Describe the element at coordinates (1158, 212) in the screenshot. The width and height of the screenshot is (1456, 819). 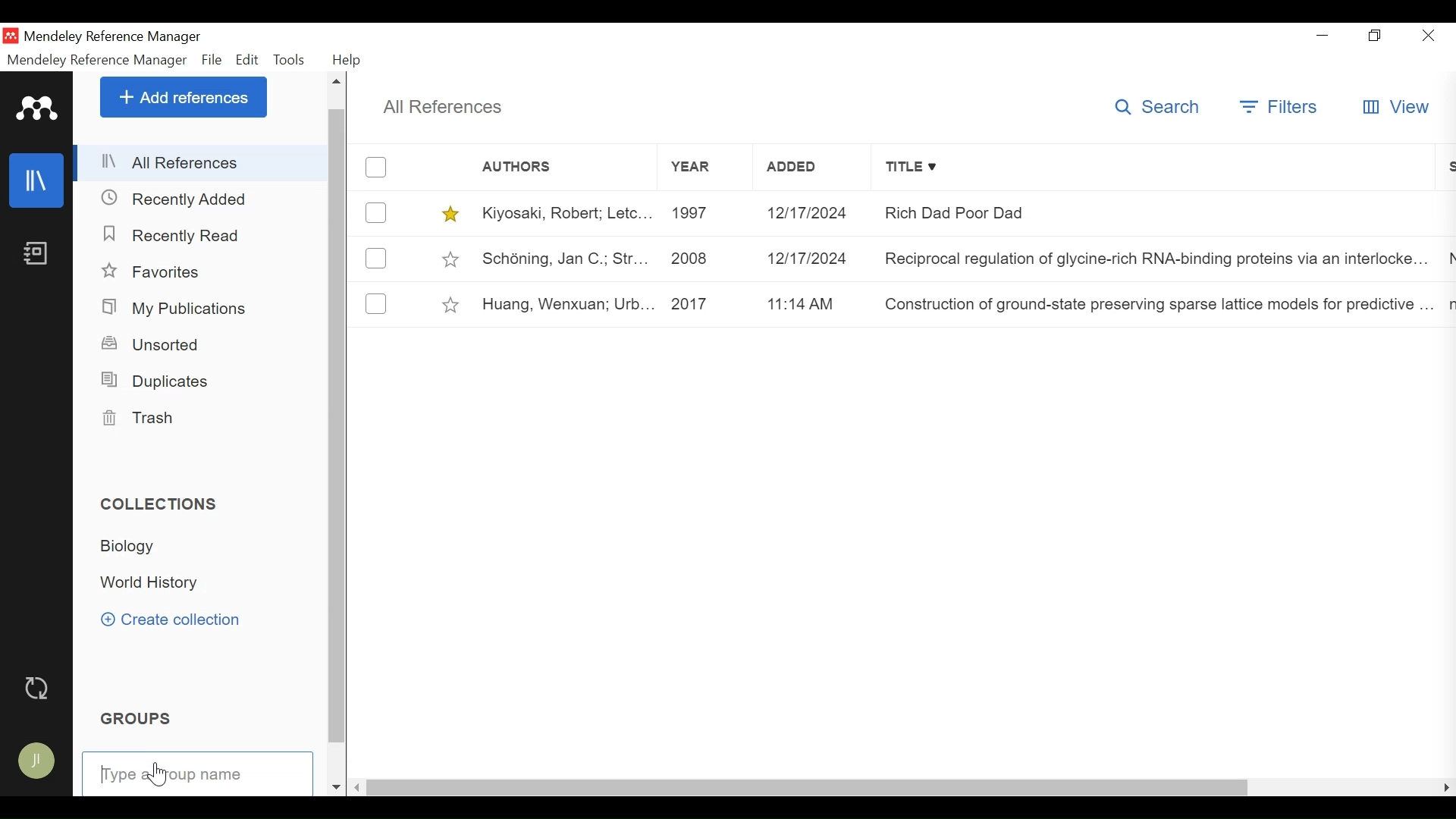
I see `Rich Dad Poor Dad` at that location.